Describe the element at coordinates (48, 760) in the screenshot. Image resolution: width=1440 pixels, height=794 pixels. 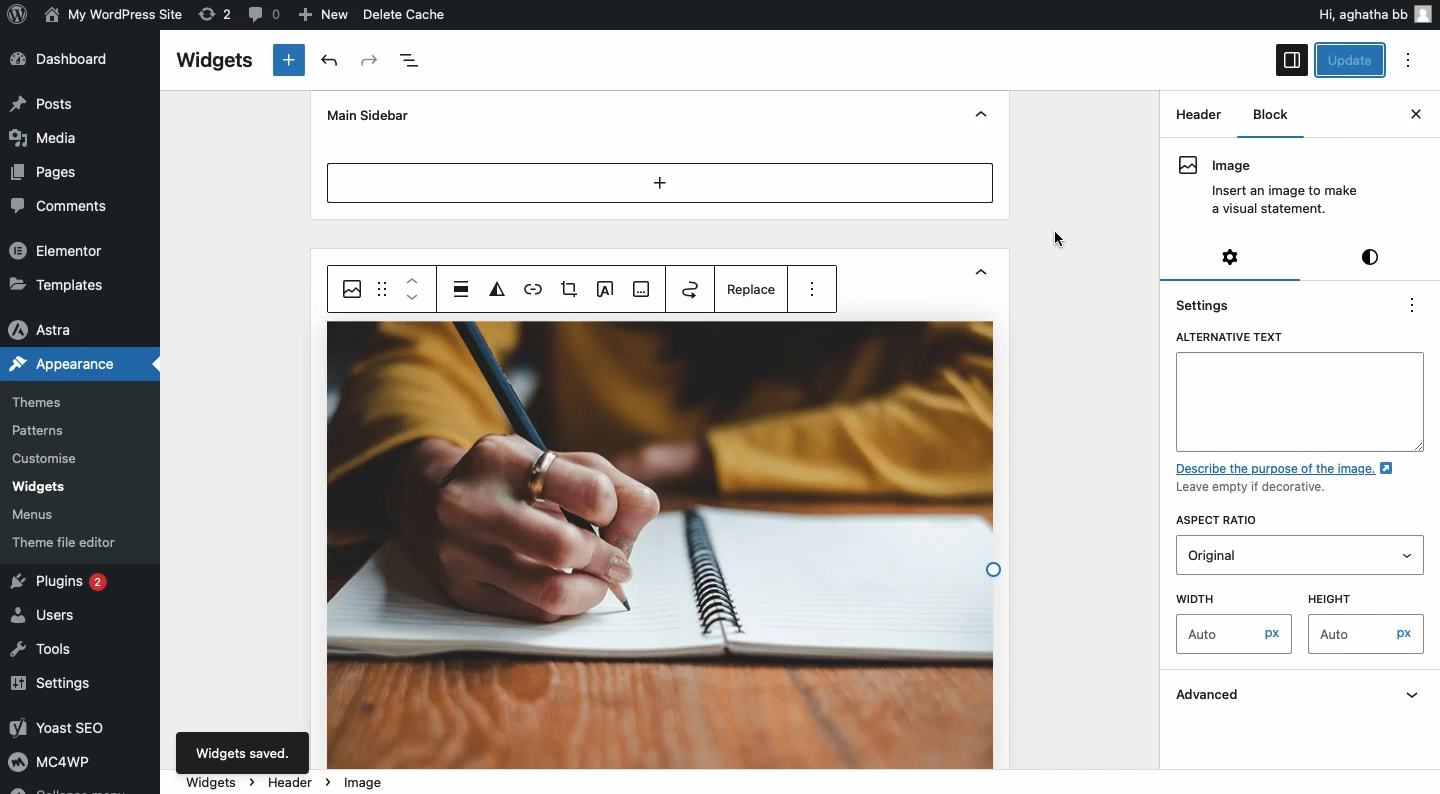
I see `MC4WP` at that location.